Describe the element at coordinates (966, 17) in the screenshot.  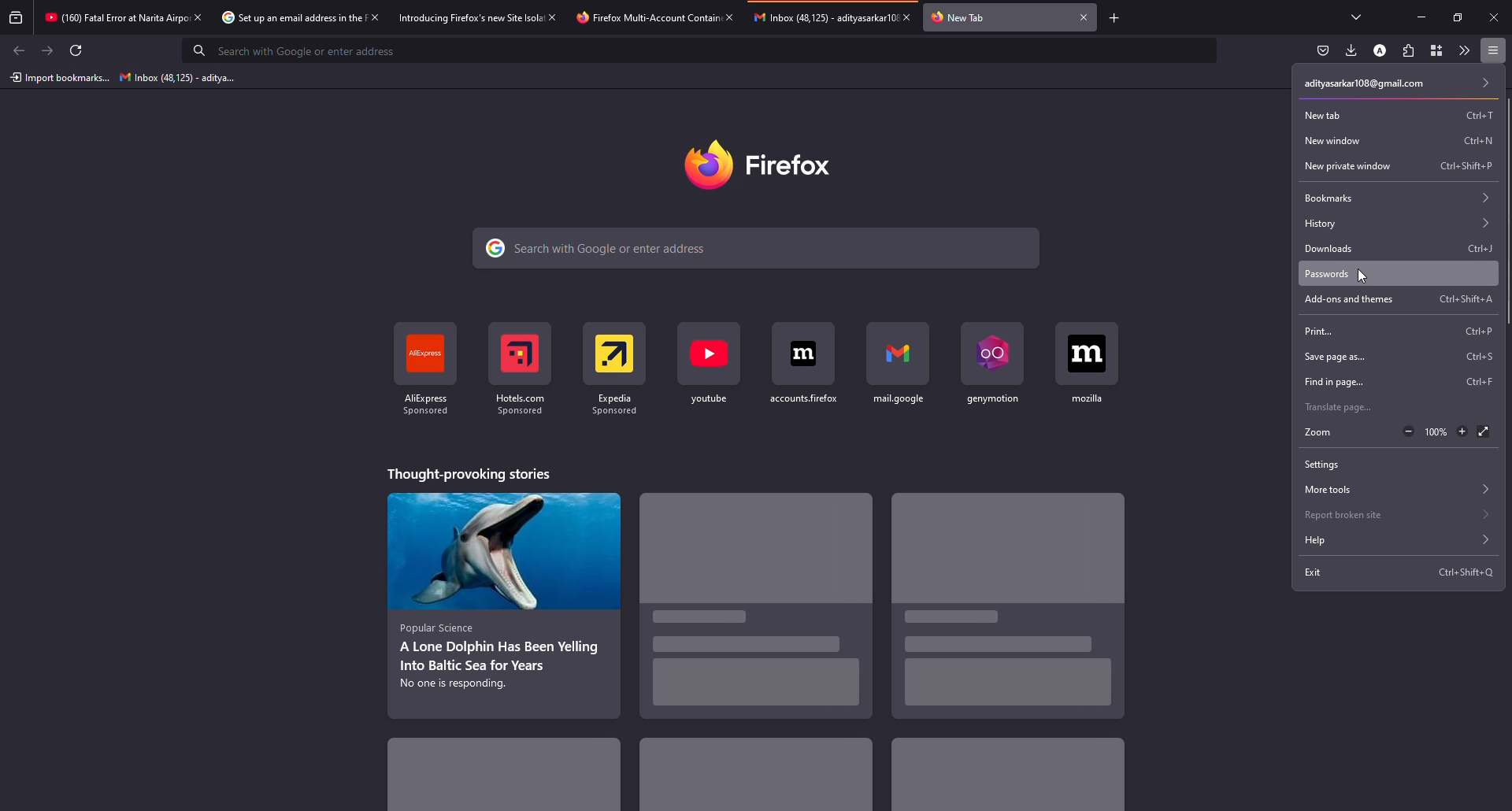
I see `tab` at that location.